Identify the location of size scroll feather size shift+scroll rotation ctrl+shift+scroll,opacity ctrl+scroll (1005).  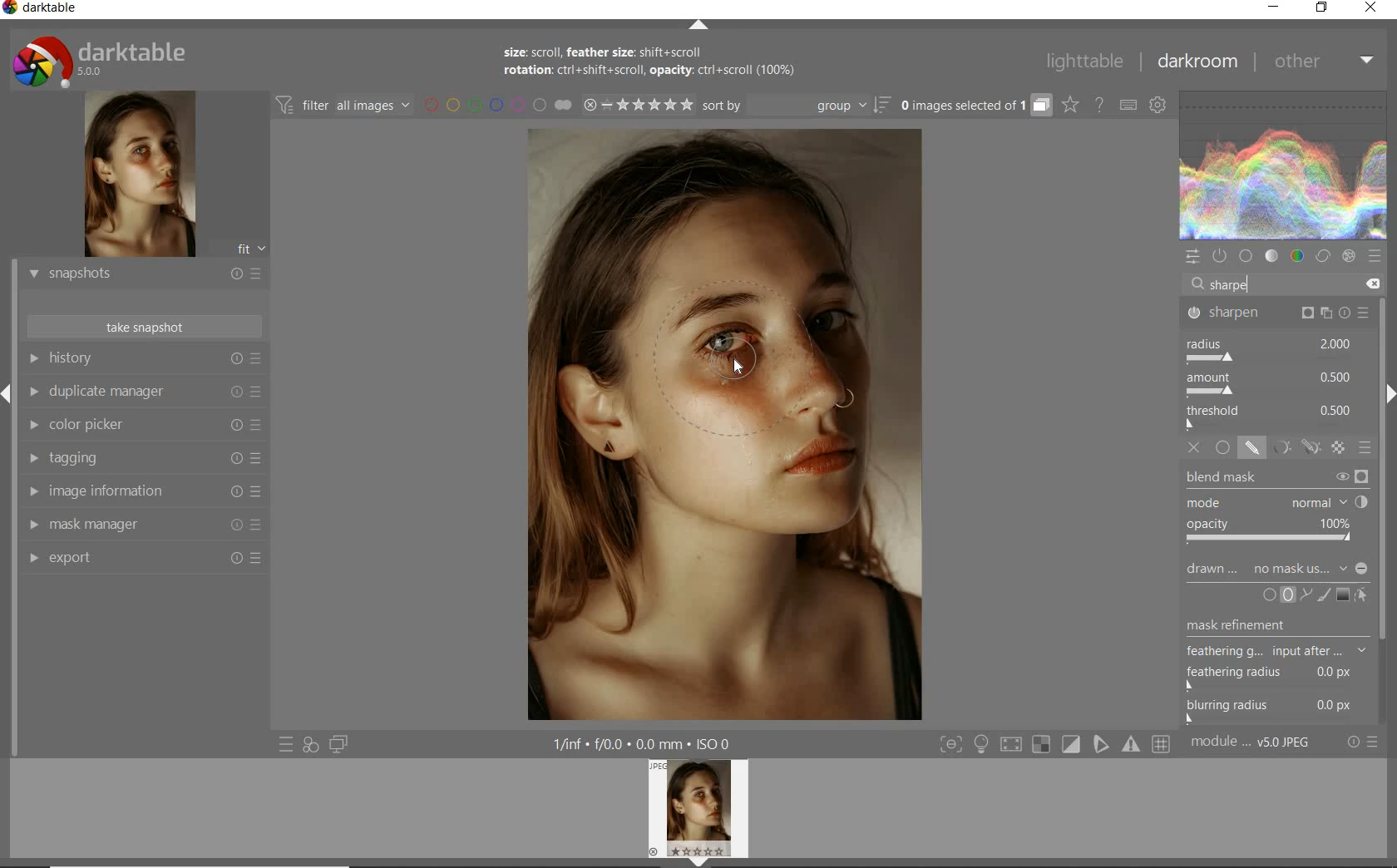
(661, 66).